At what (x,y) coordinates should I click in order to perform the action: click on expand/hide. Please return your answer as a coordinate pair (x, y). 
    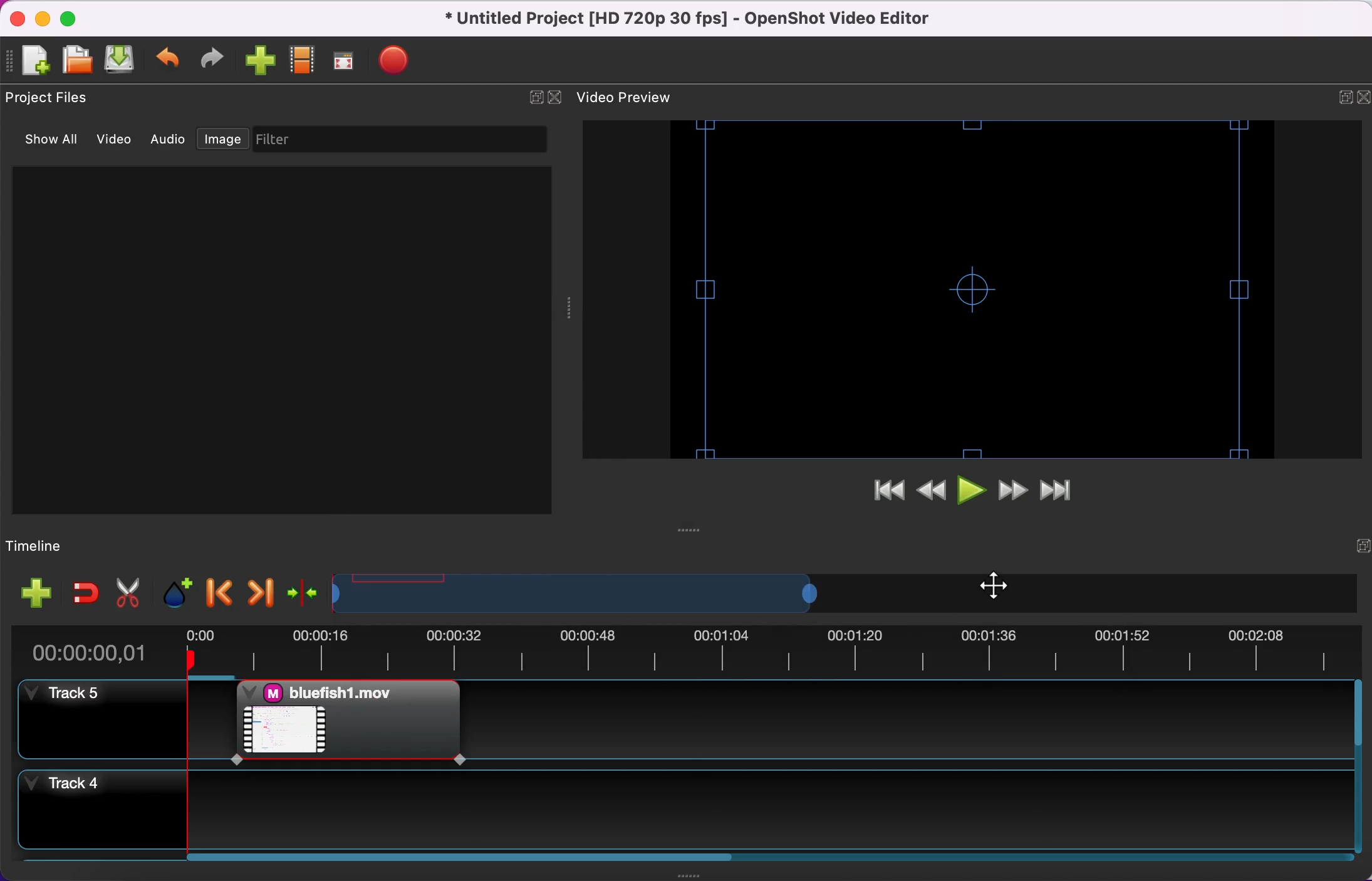
    Looking at the image, I should click on (536, 102).